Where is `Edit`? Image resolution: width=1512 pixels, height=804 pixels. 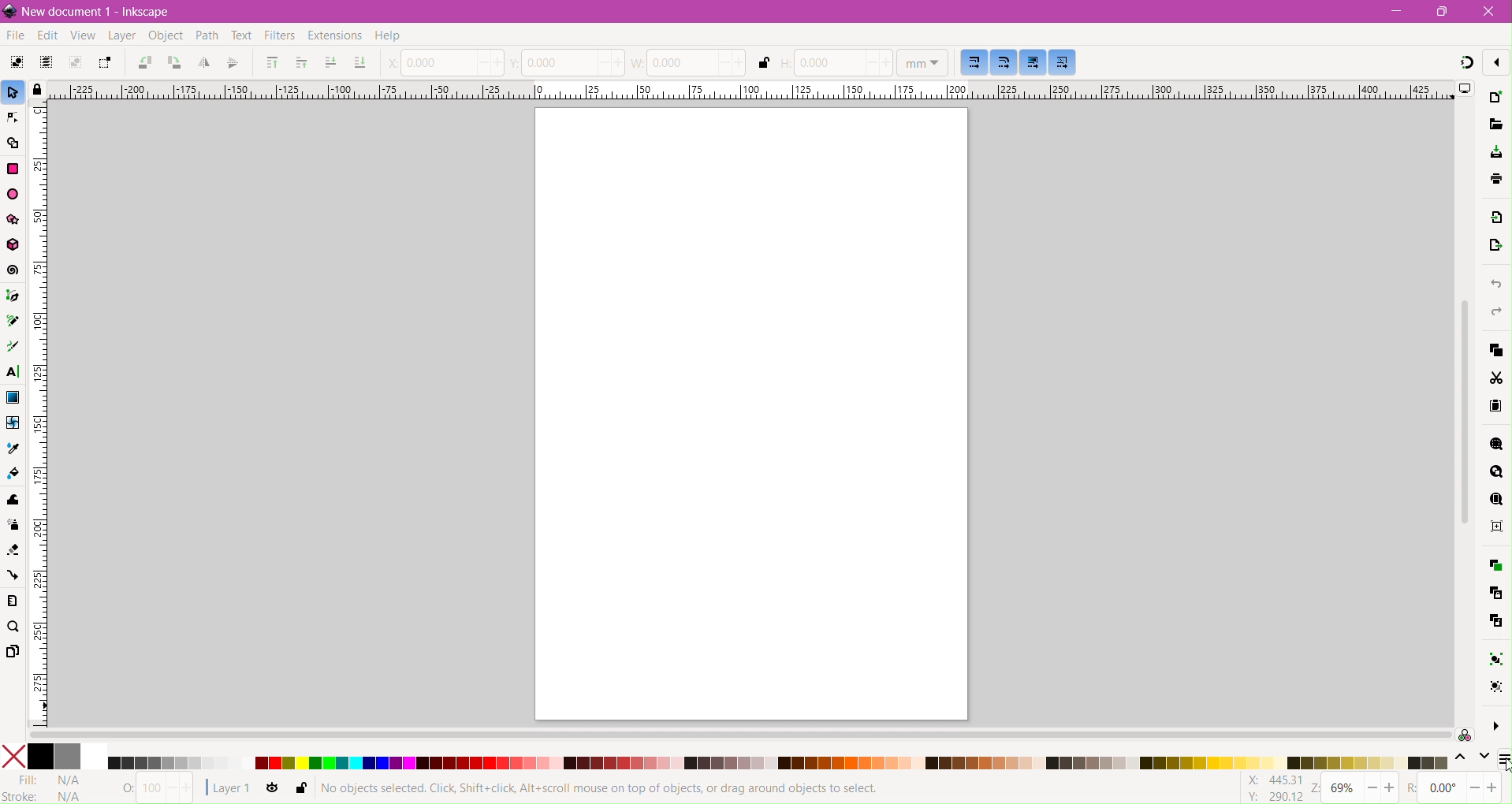 Edit is located at coordinates (45, 35).